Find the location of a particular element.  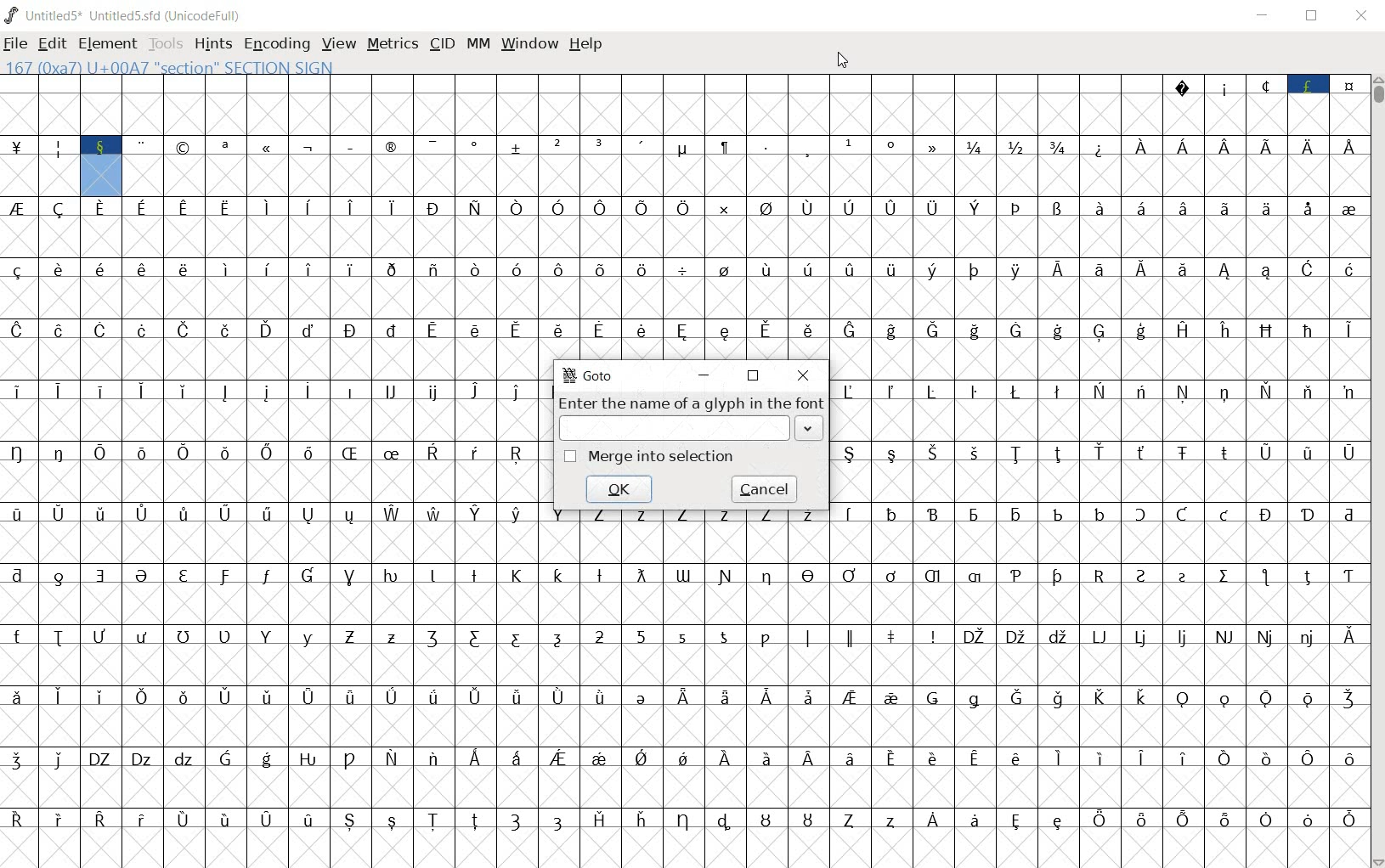

special characters is located at coordinates (1097, 718).